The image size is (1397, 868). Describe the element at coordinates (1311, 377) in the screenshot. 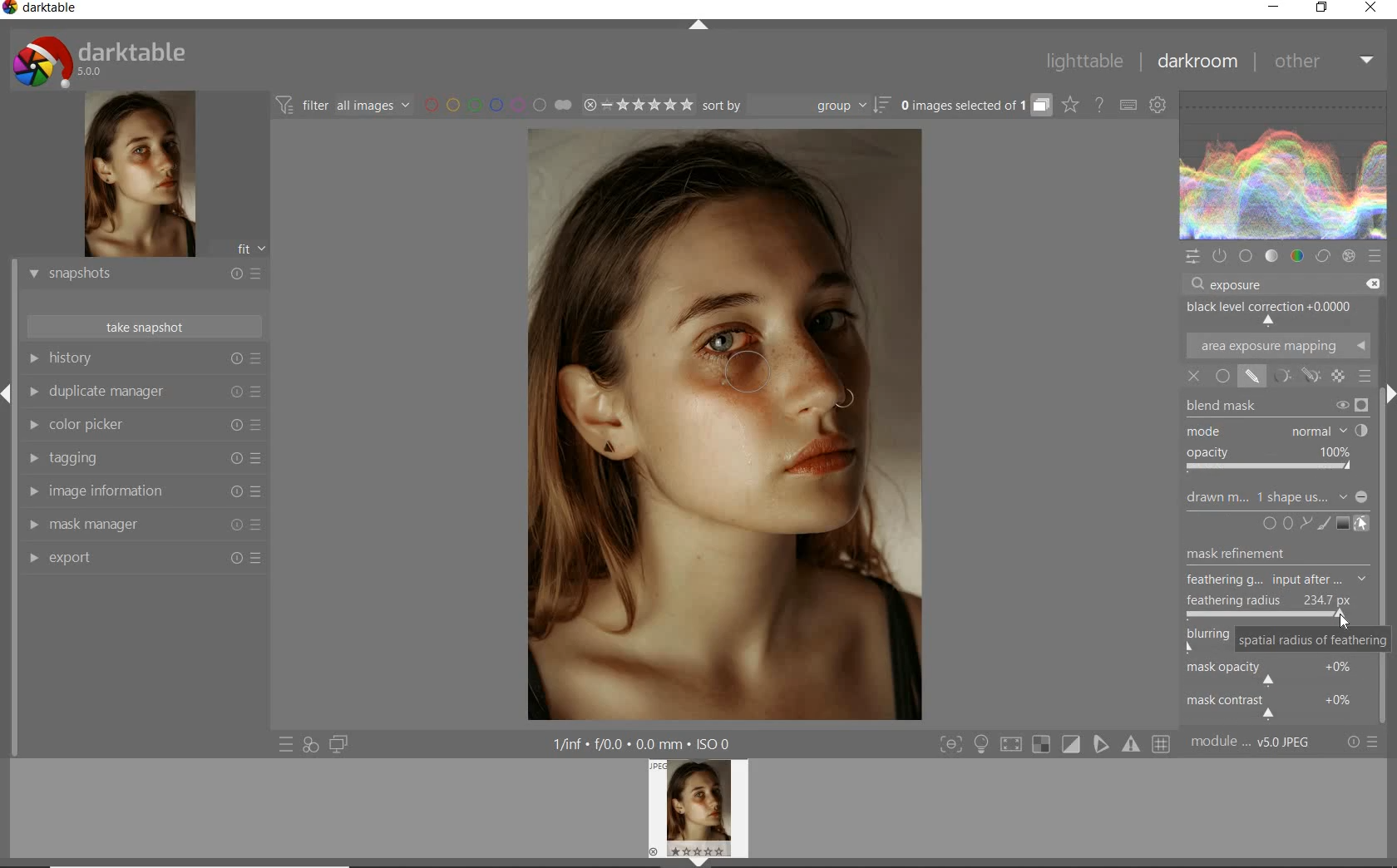

I see `MASK OPTIONS` at that location.